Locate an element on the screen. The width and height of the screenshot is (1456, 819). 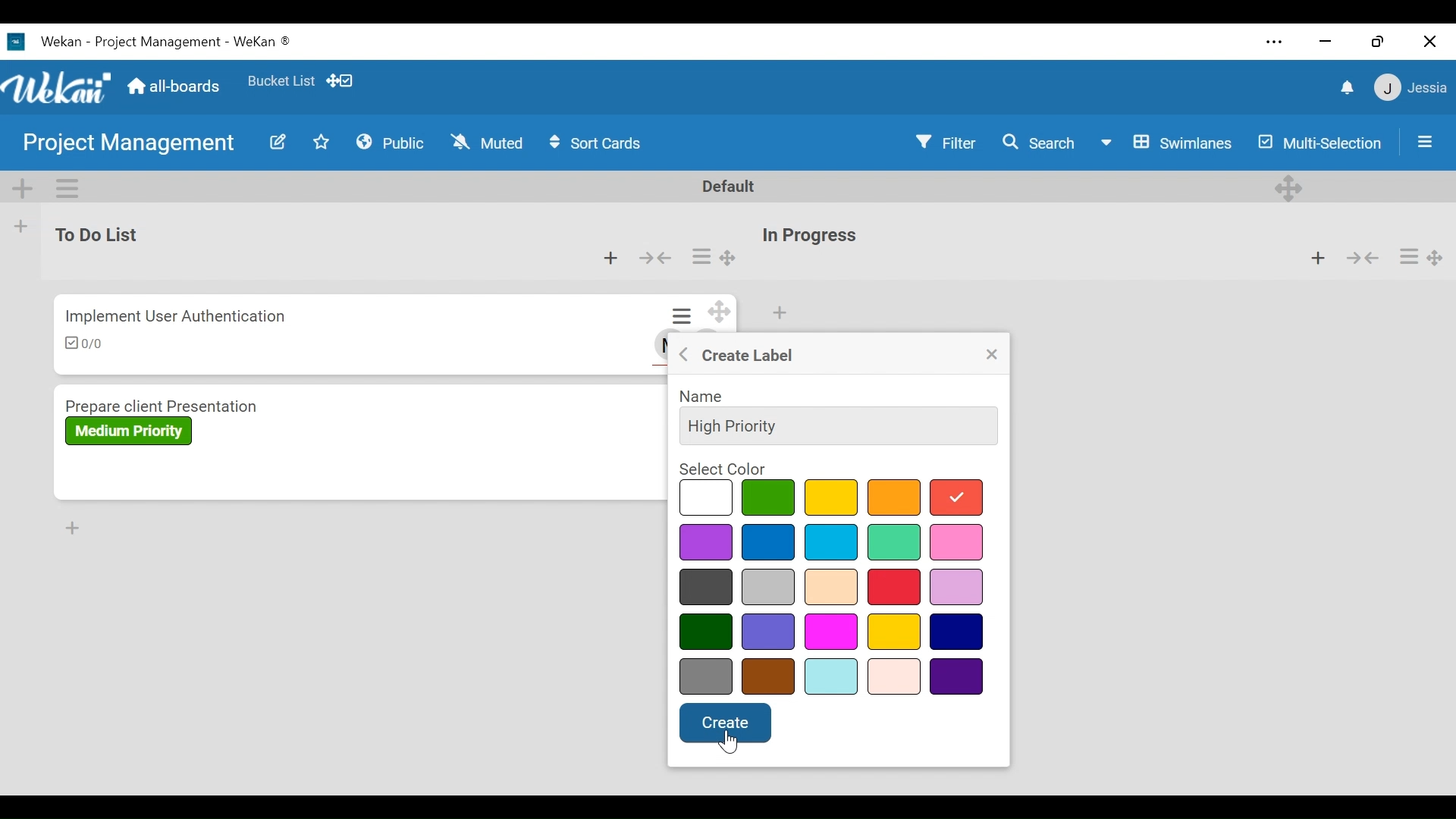
select color is located at coordinates (732, 469).